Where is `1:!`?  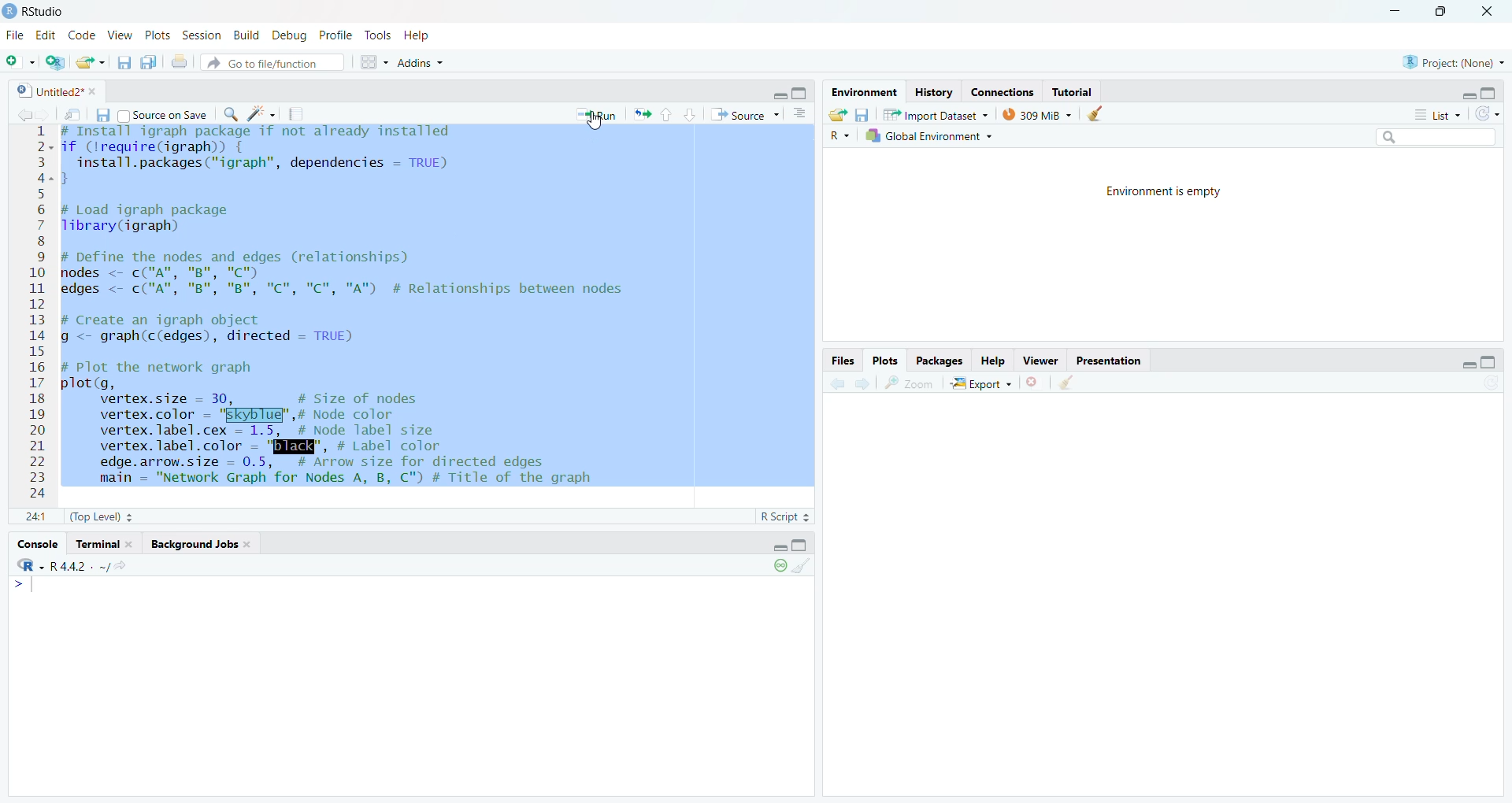
1:! is located at coordinates (27, 519).